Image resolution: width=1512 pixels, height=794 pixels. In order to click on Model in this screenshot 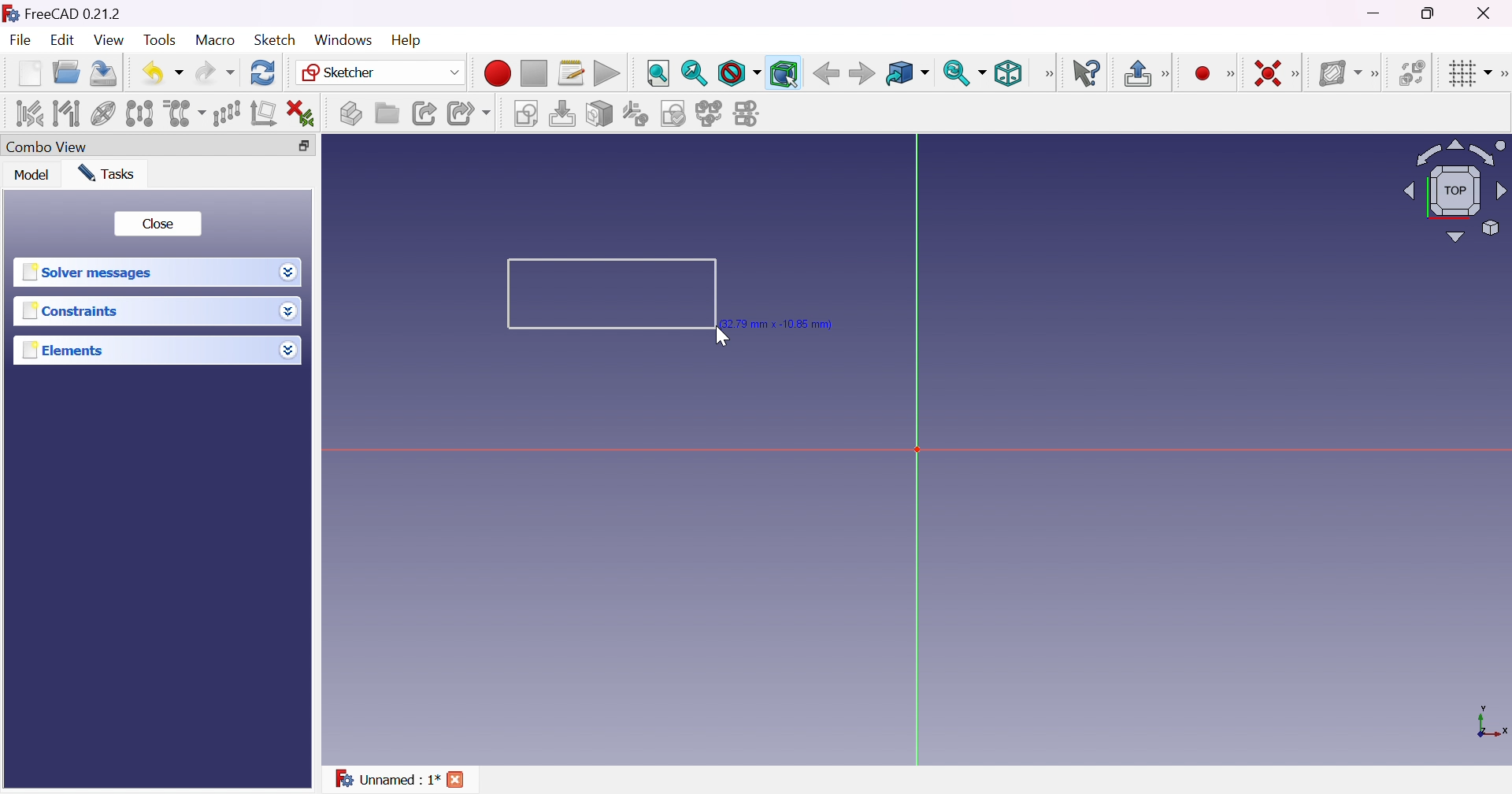, I will do `click(31, 174)`.